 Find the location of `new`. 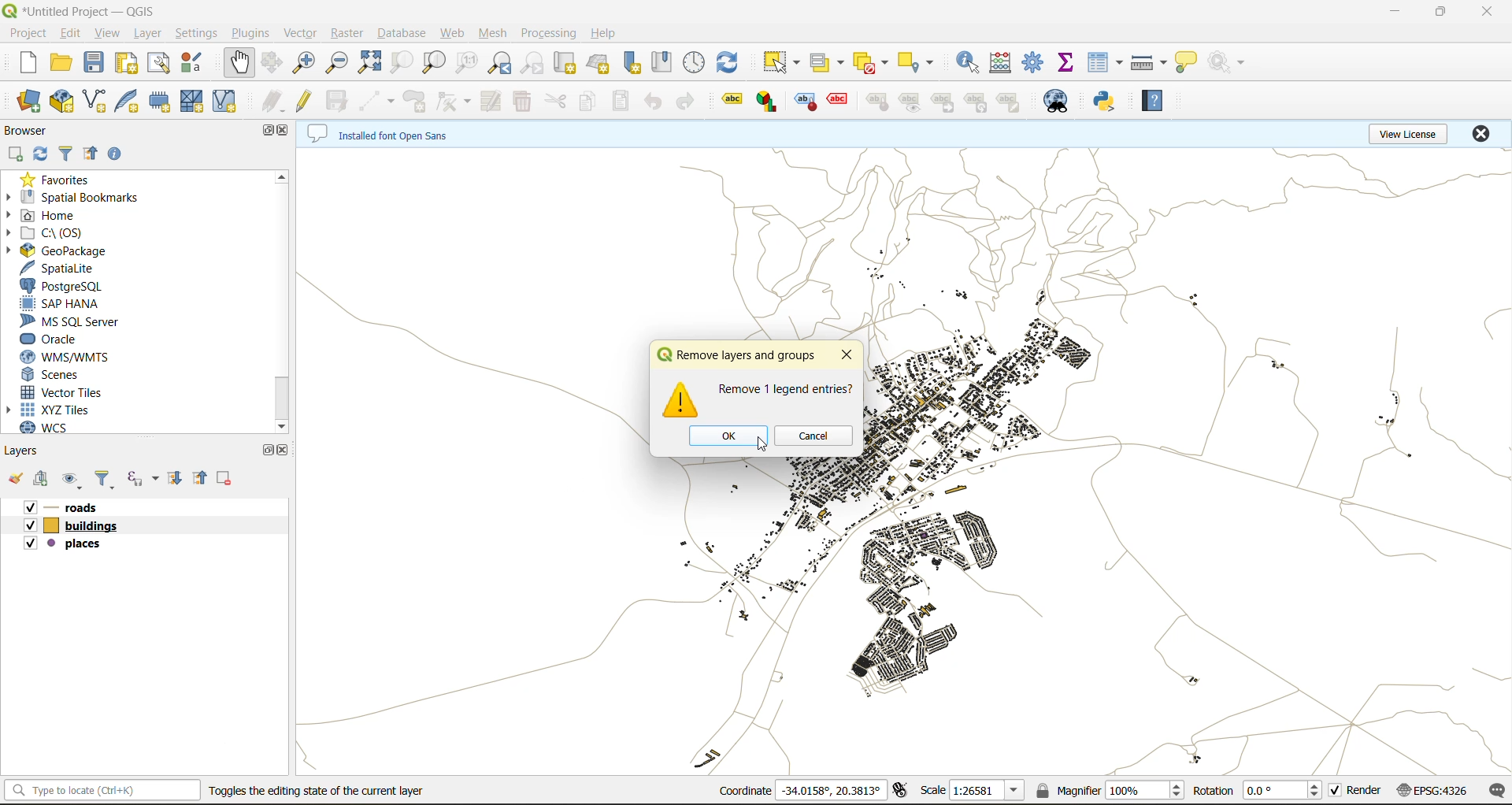

new is located at coordinates (29, 61).